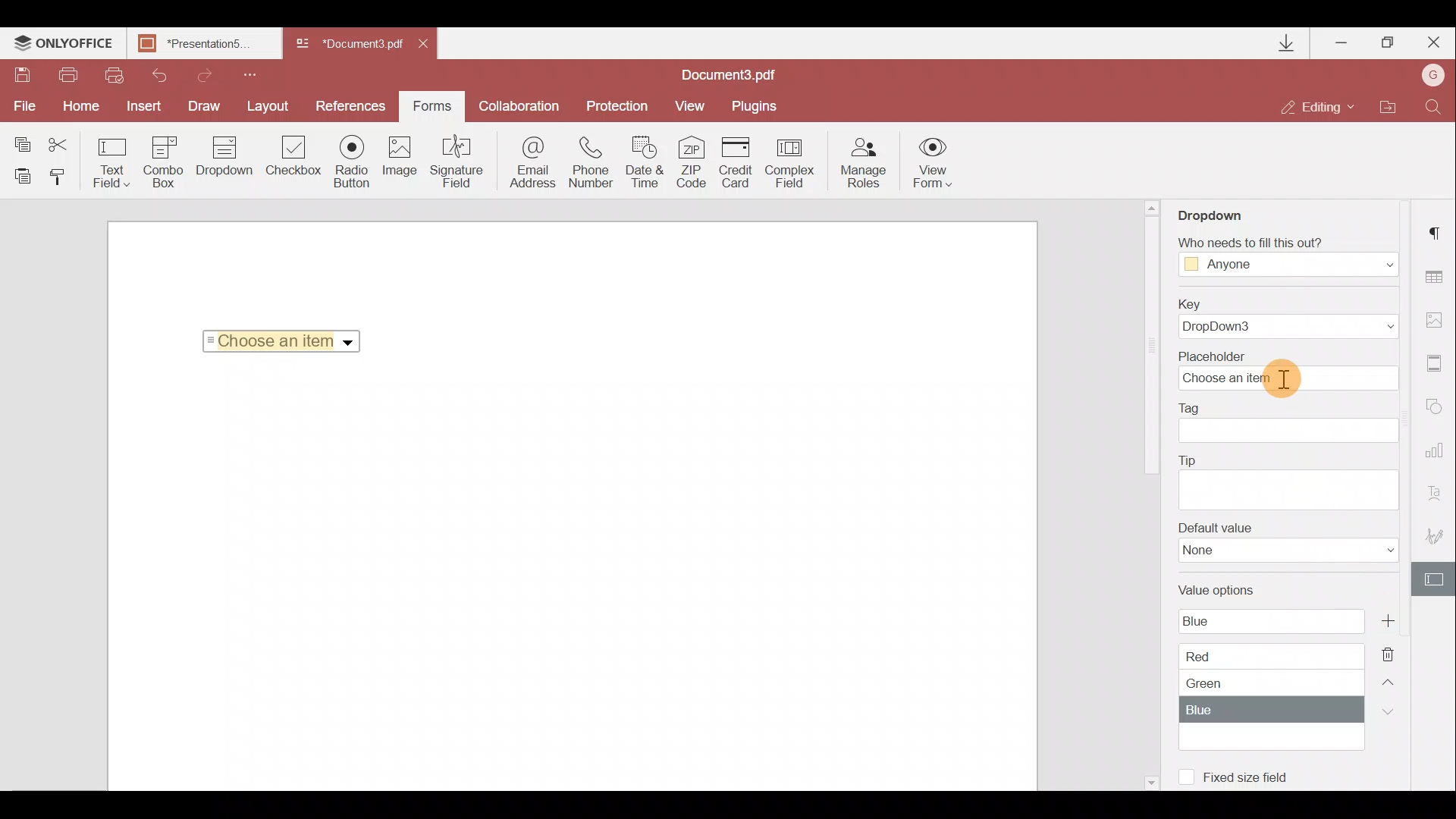 The image size is (1456, 819). What do you see at coordinates (18, 139) in the screenshot?
I see `Copy` at bounding box center [18, 139].